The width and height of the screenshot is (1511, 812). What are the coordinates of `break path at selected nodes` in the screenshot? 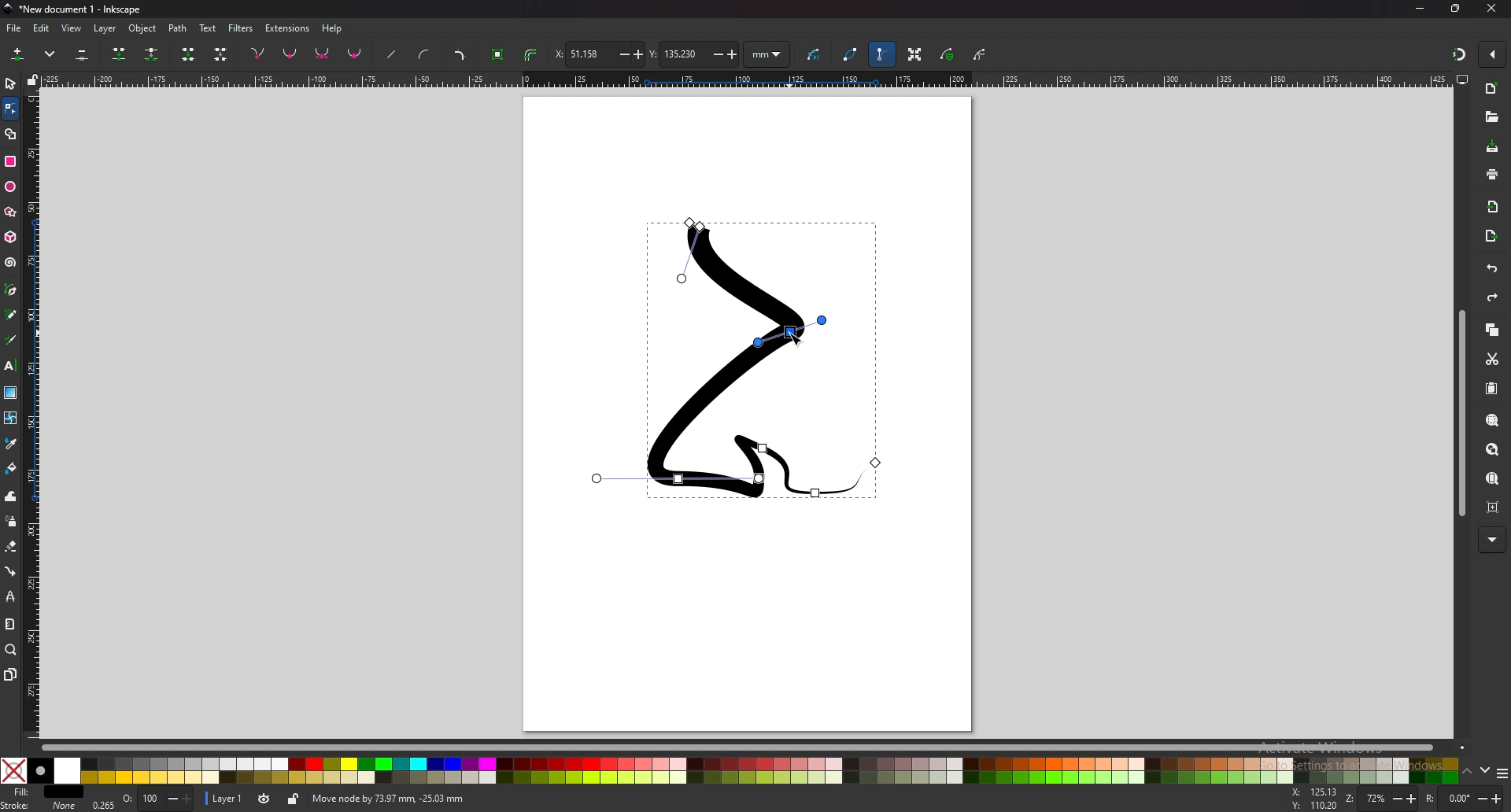 It's located at (151, 55).